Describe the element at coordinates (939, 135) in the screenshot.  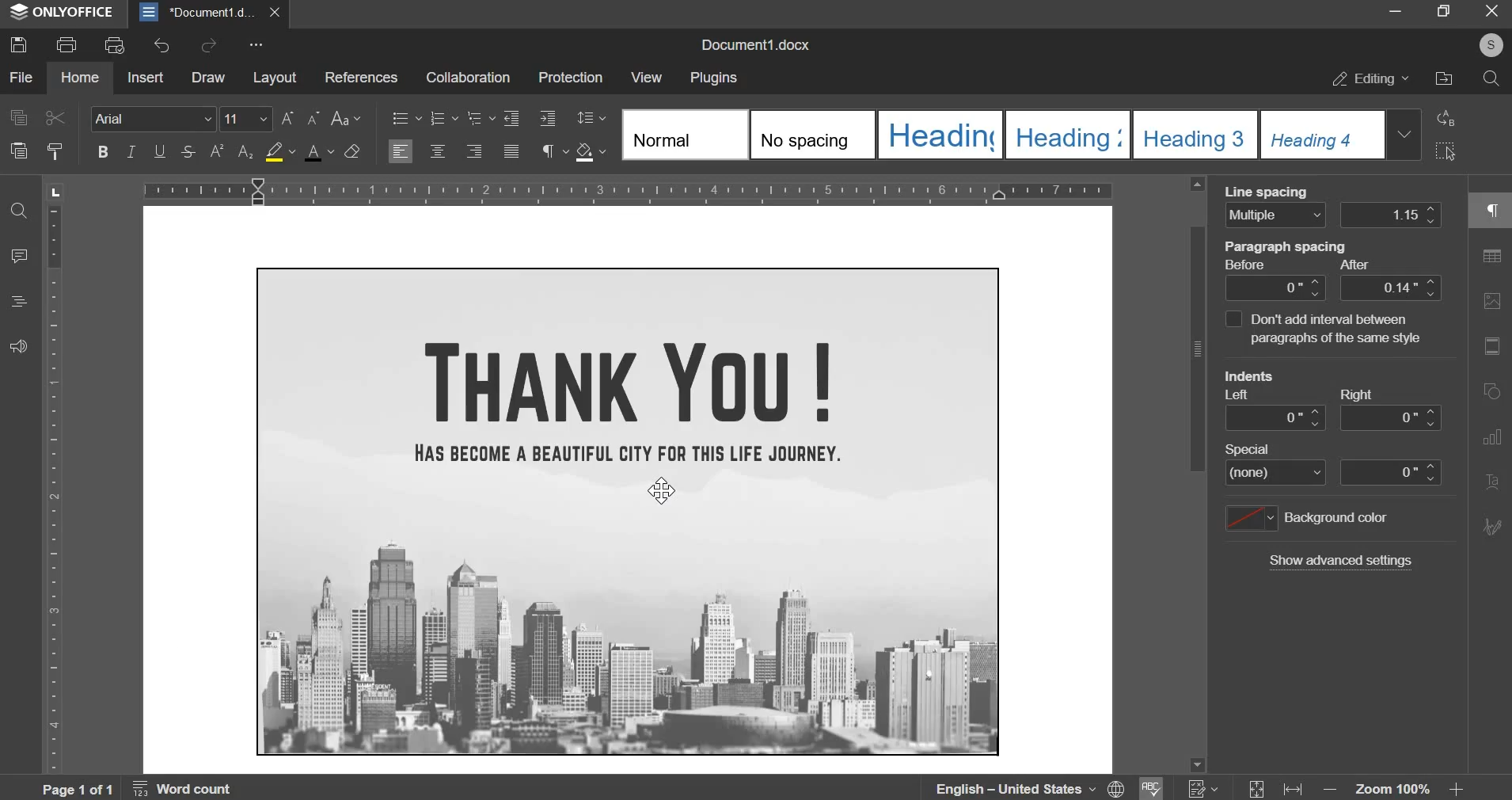
I see `Heading 1` at that location.